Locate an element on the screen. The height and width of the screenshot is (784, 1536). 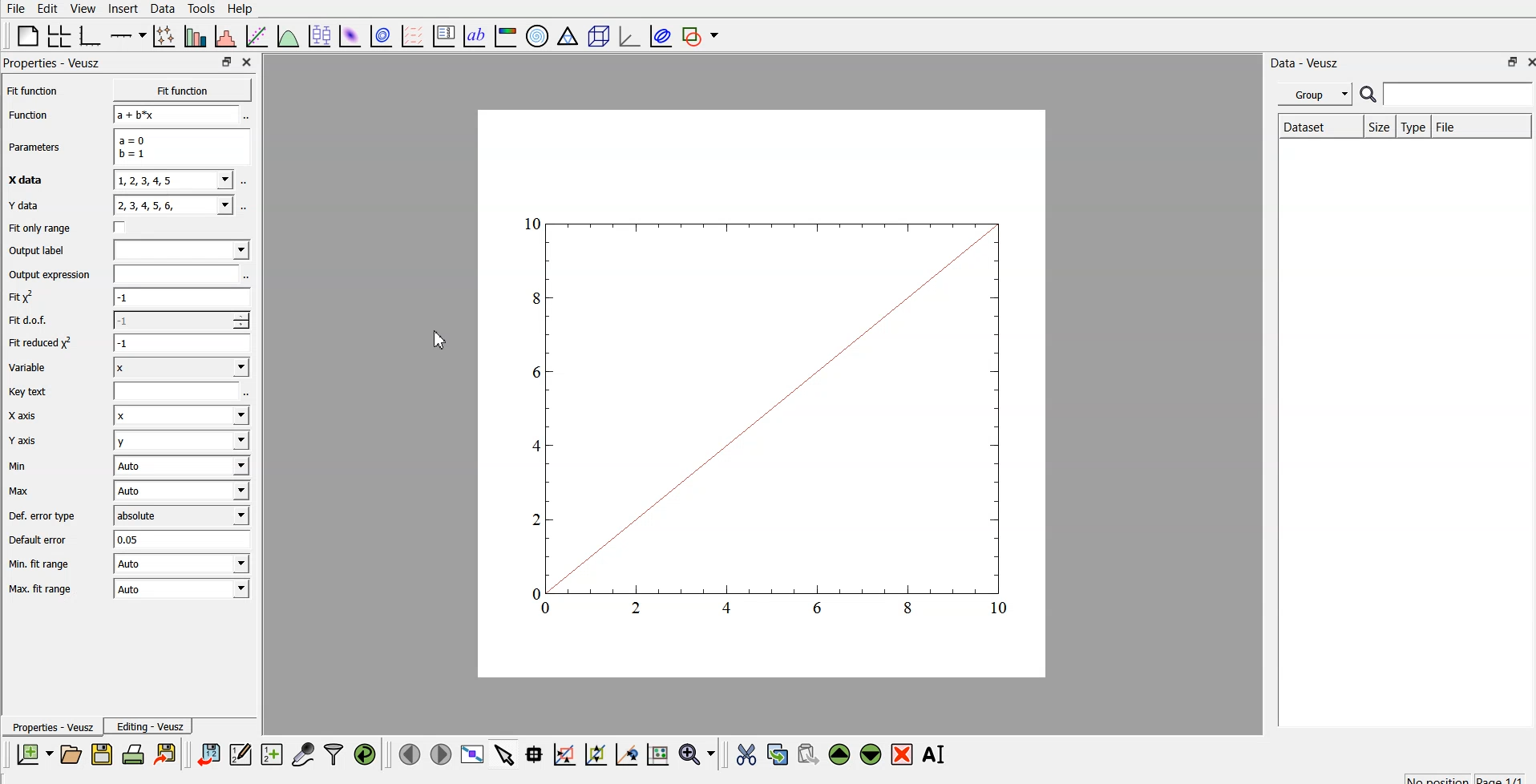
copy the selected widget is located at coordinates (778, 756).